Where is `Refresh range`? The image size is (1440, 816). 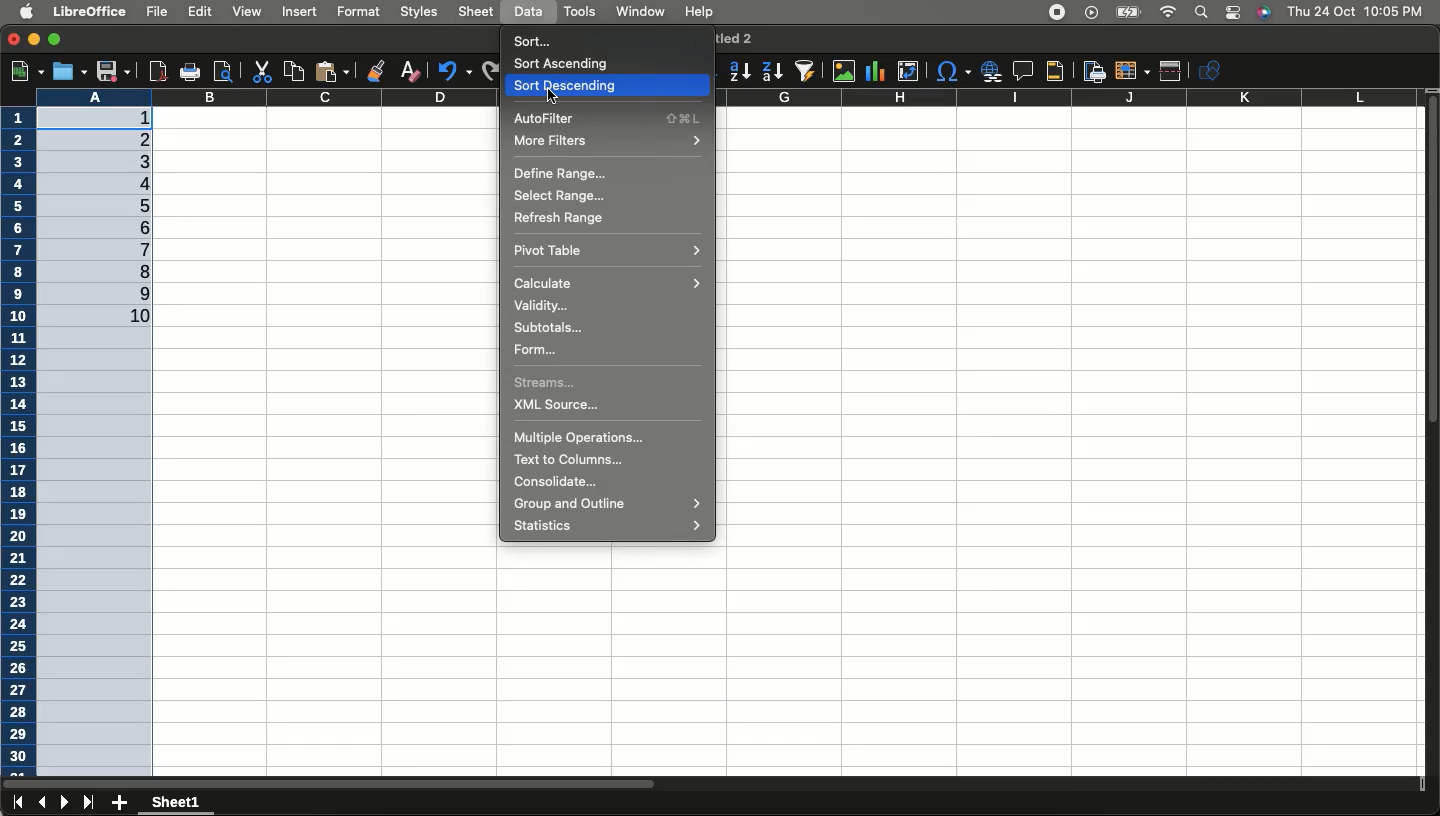 Refresh range is located at coordinates (559, 218).